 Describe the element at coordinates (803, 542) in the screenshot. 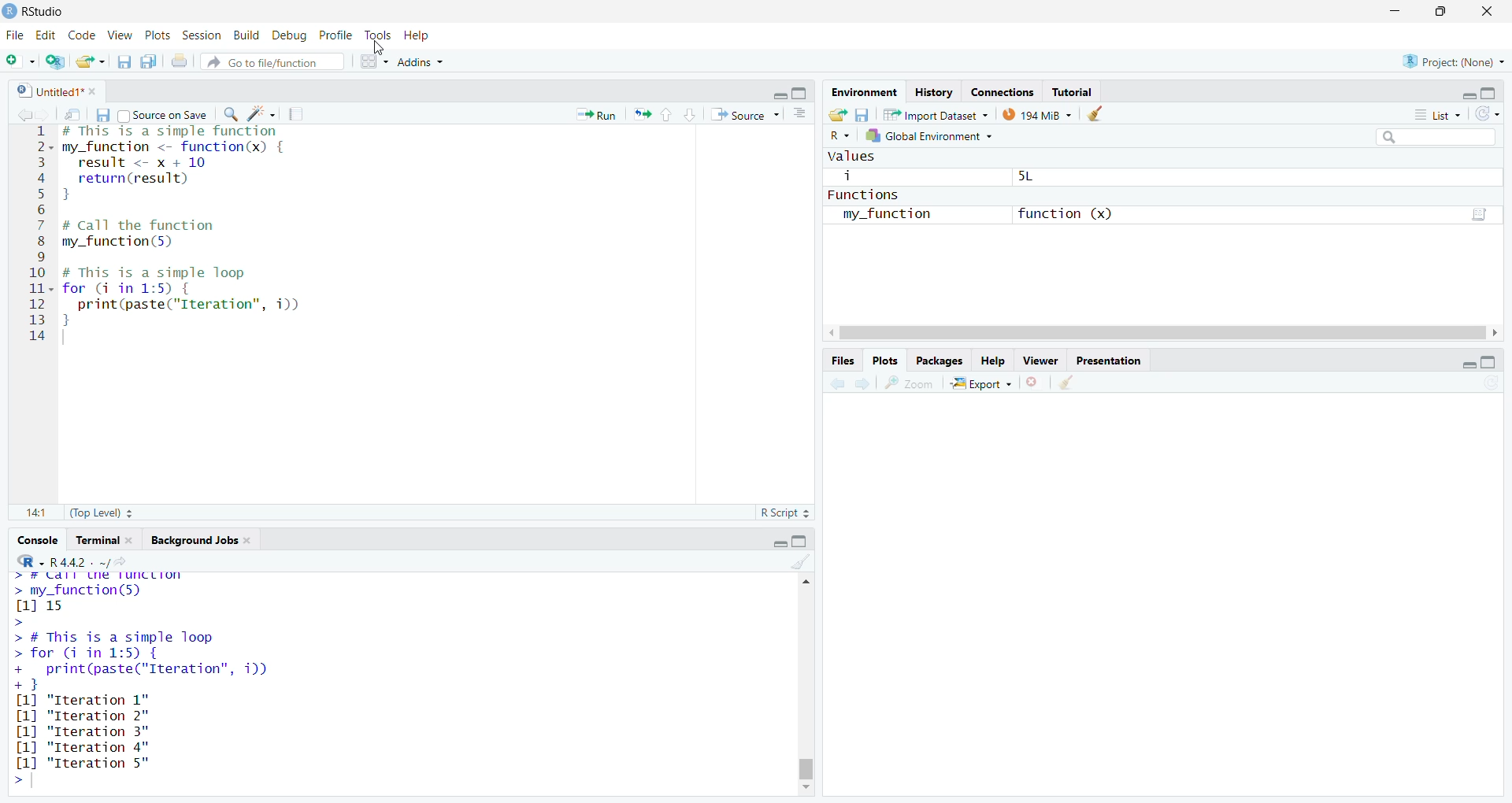

I see `maximize` at that location.